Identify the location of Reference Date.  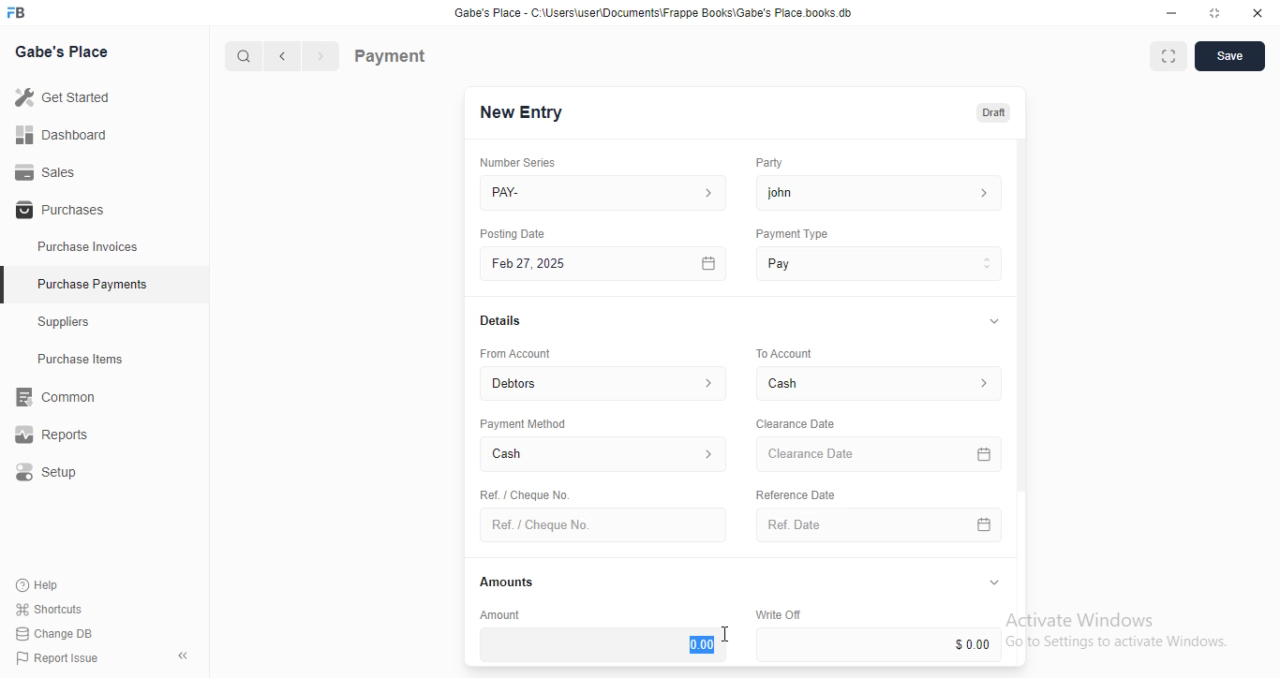
(794, 493).